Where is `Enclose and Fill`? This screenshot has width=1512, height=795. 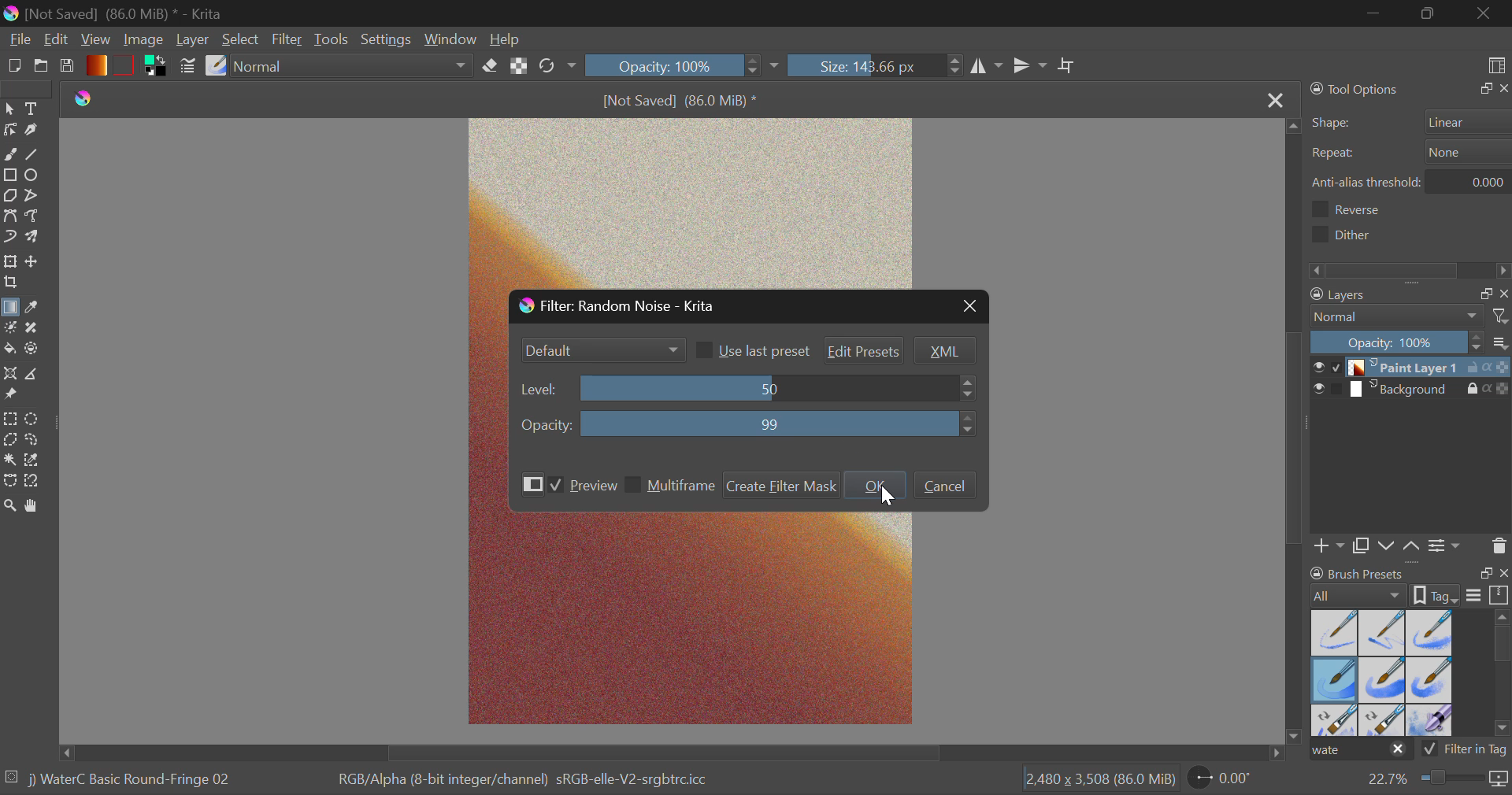
Enclose and Fill is located at coordinates (36, 349).